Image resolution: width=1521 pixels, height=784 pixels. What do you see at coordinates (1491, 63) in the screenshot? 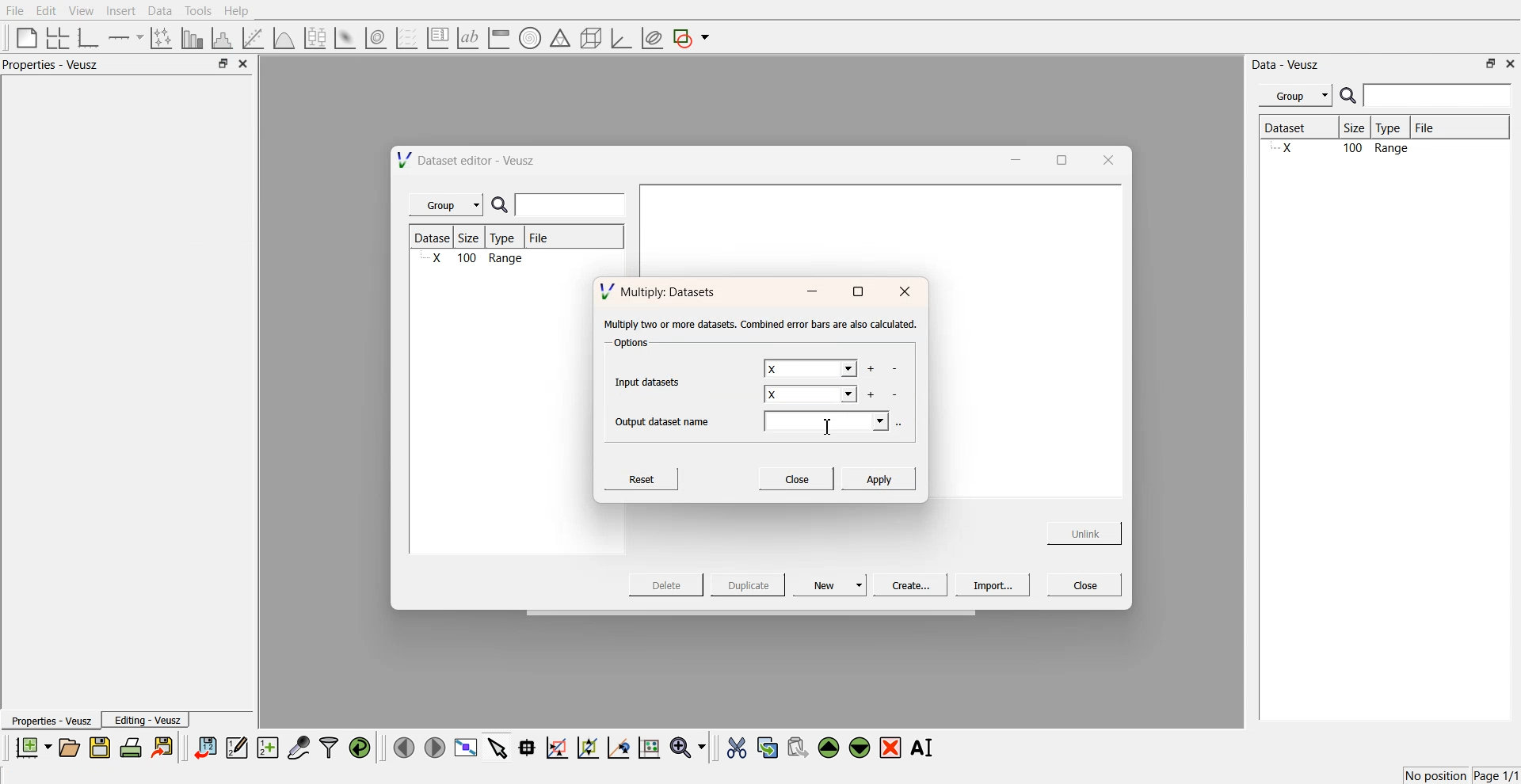
I see `minimise or maximise` at bounding box center [1491, 63].